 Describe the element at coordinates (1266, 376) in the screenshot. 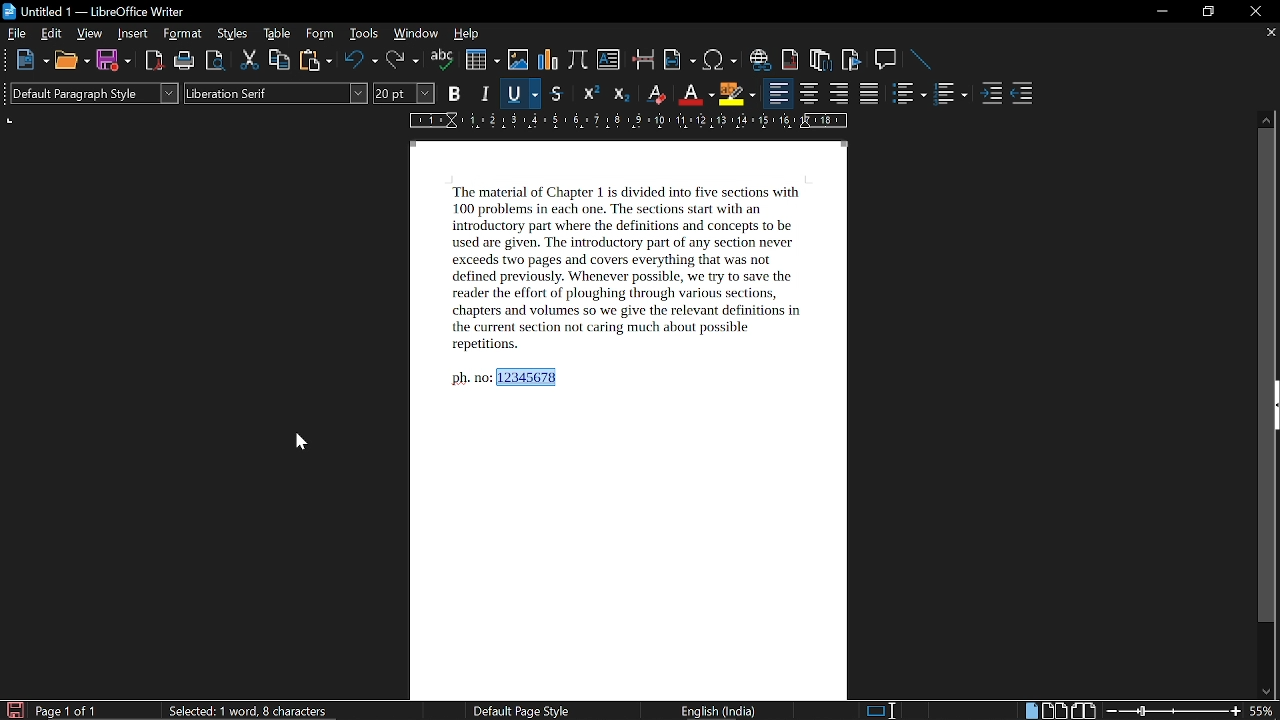

I see `vertical scrollbar` at that location.